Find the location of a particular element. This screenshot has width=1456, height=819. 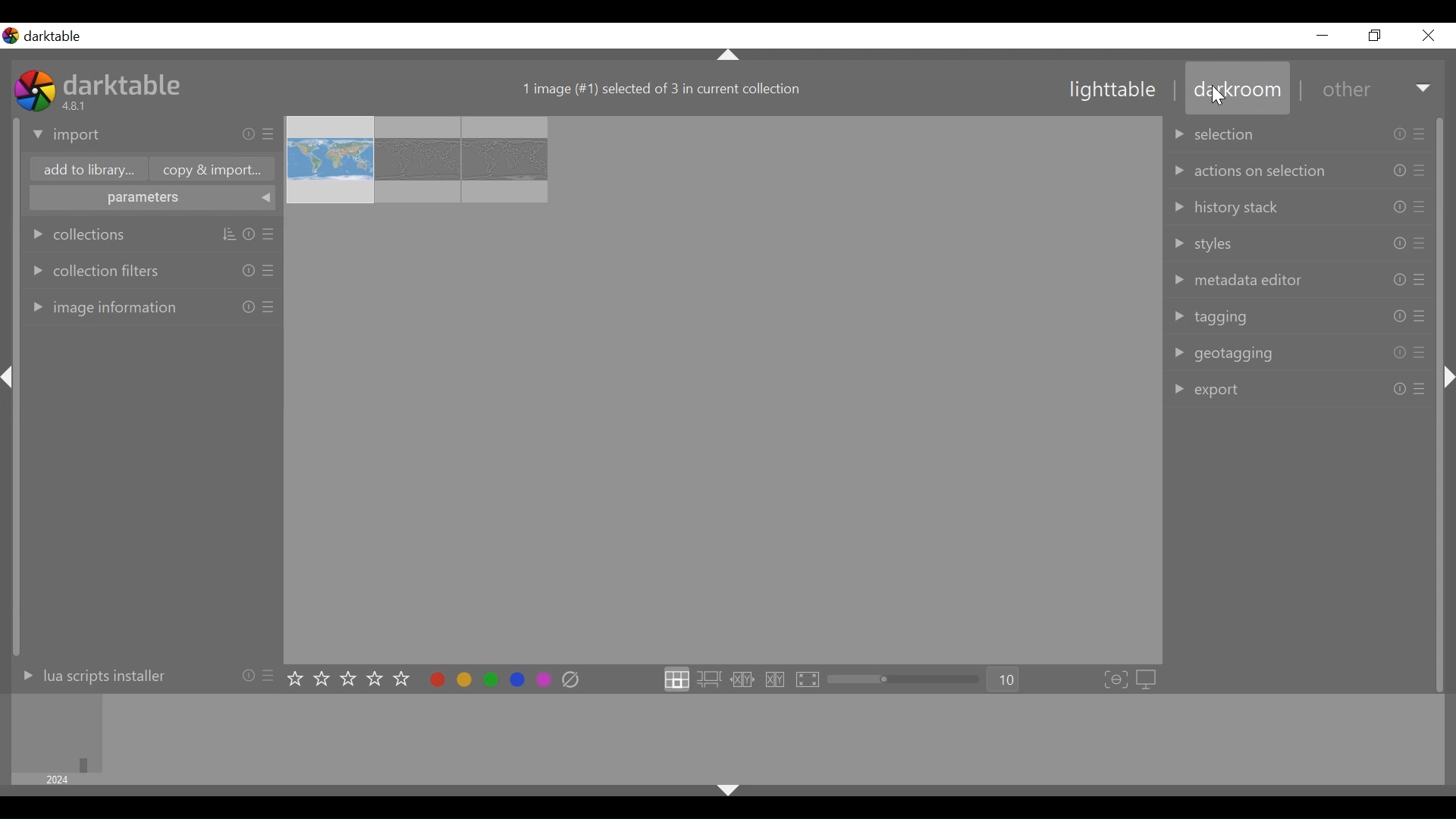

image thumbnail is located at coordinates (722, 388).